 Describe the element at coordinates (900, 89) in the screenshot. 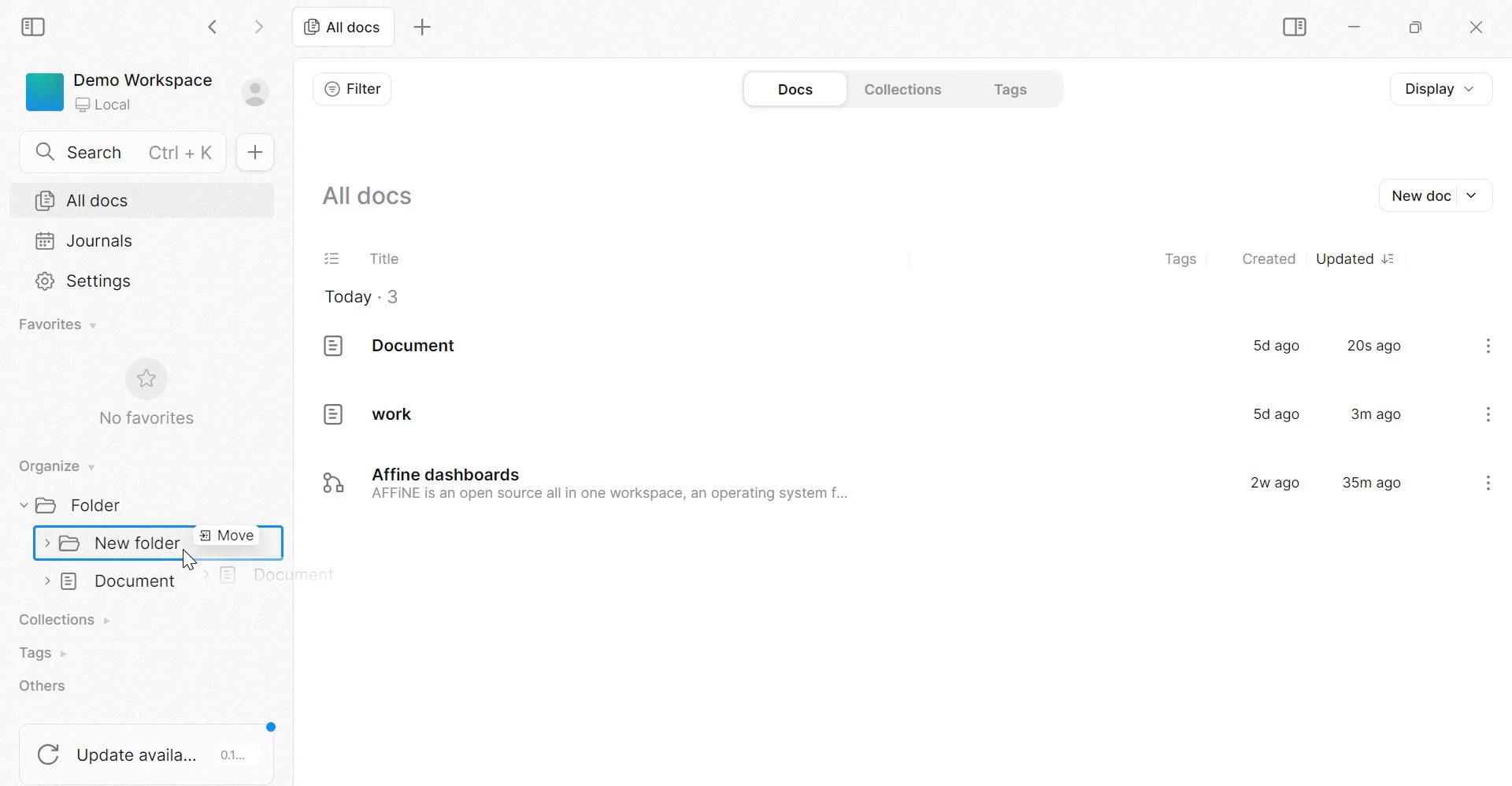

I see `Collections` at that location.